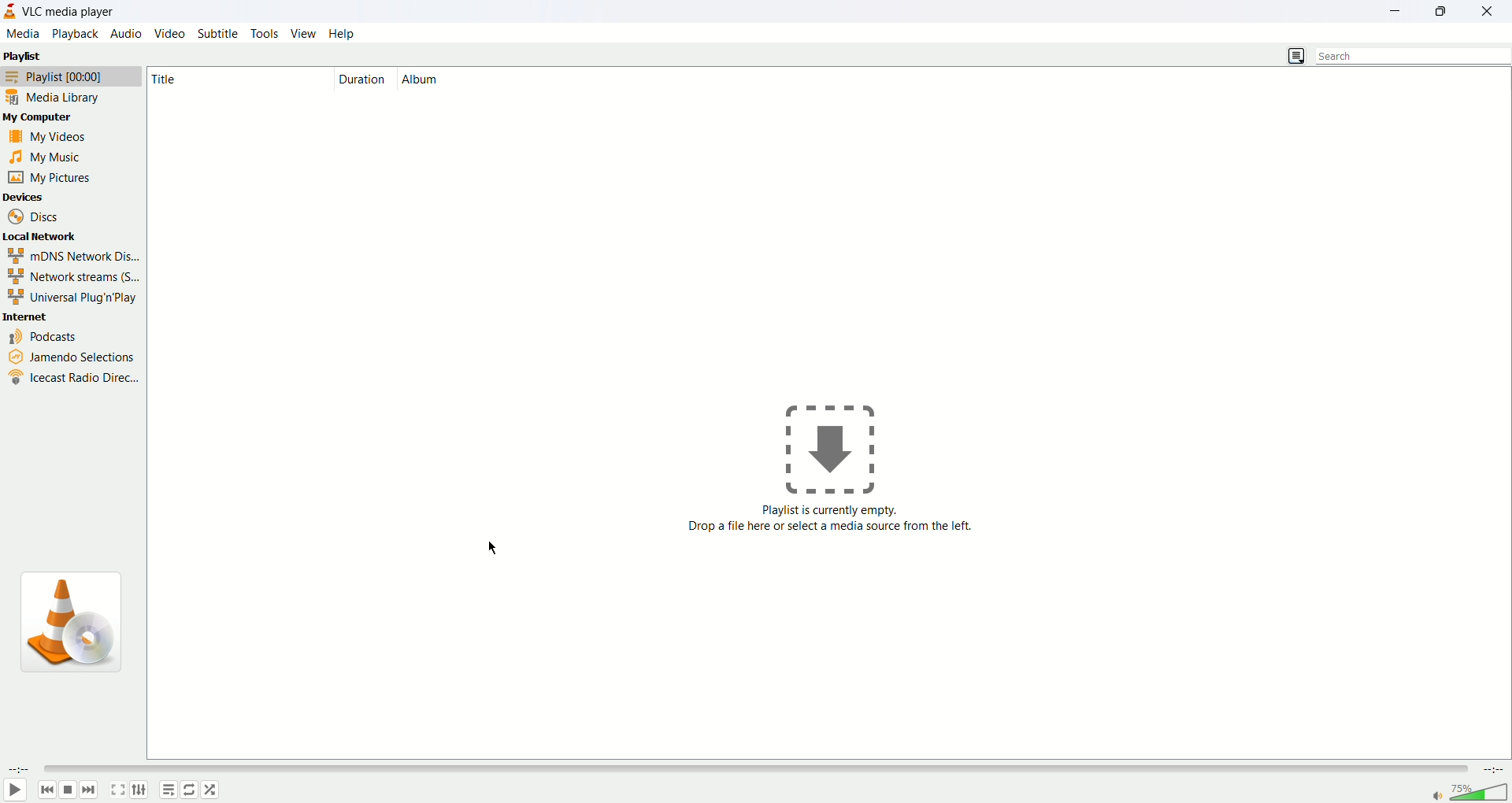  What do you see at coordinates (234, 78) in the screenshot?
I see `Title` at bounding box center [234, 78].